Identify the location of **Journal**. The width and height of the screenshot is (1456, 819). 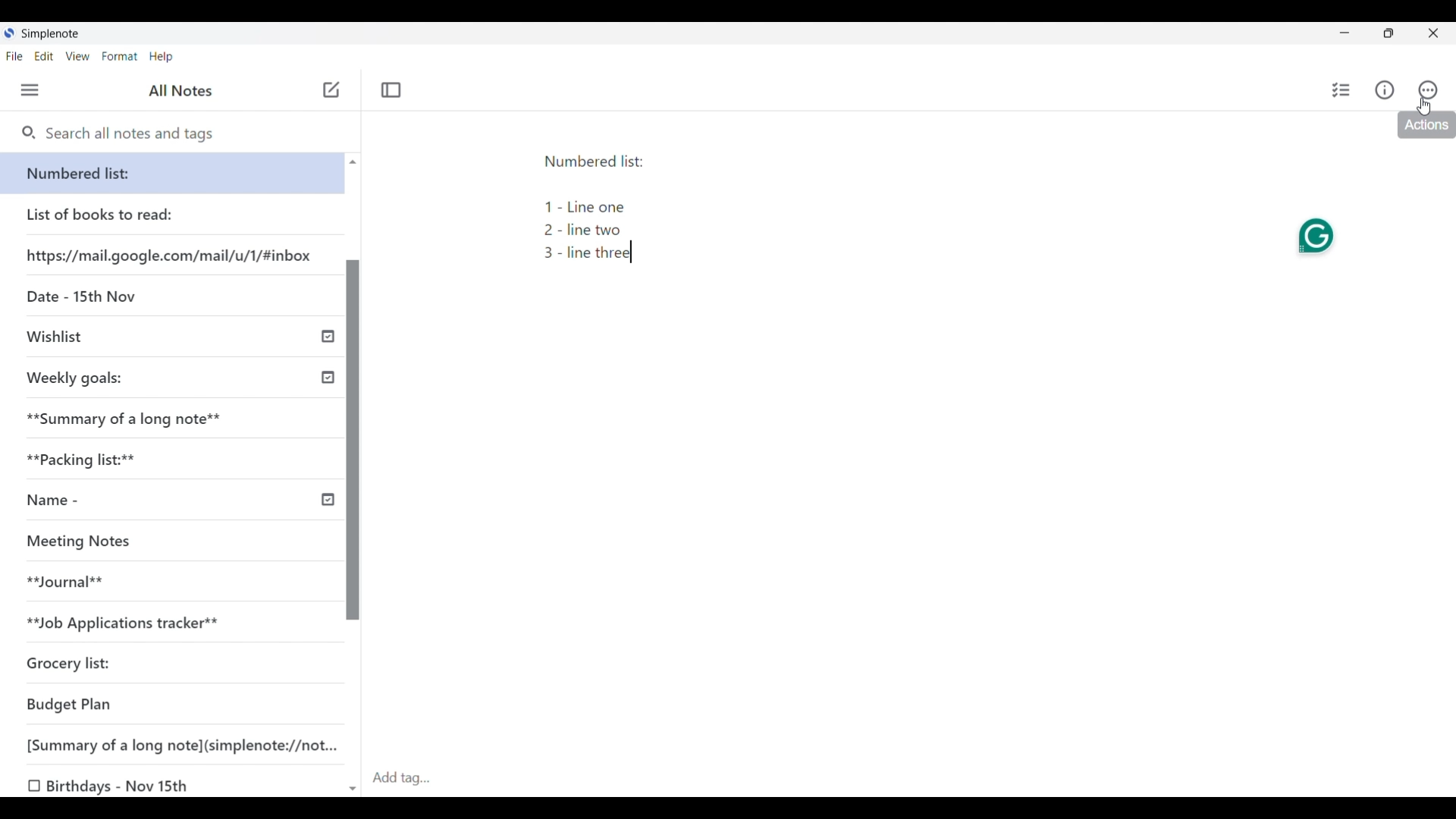
(76, 583).